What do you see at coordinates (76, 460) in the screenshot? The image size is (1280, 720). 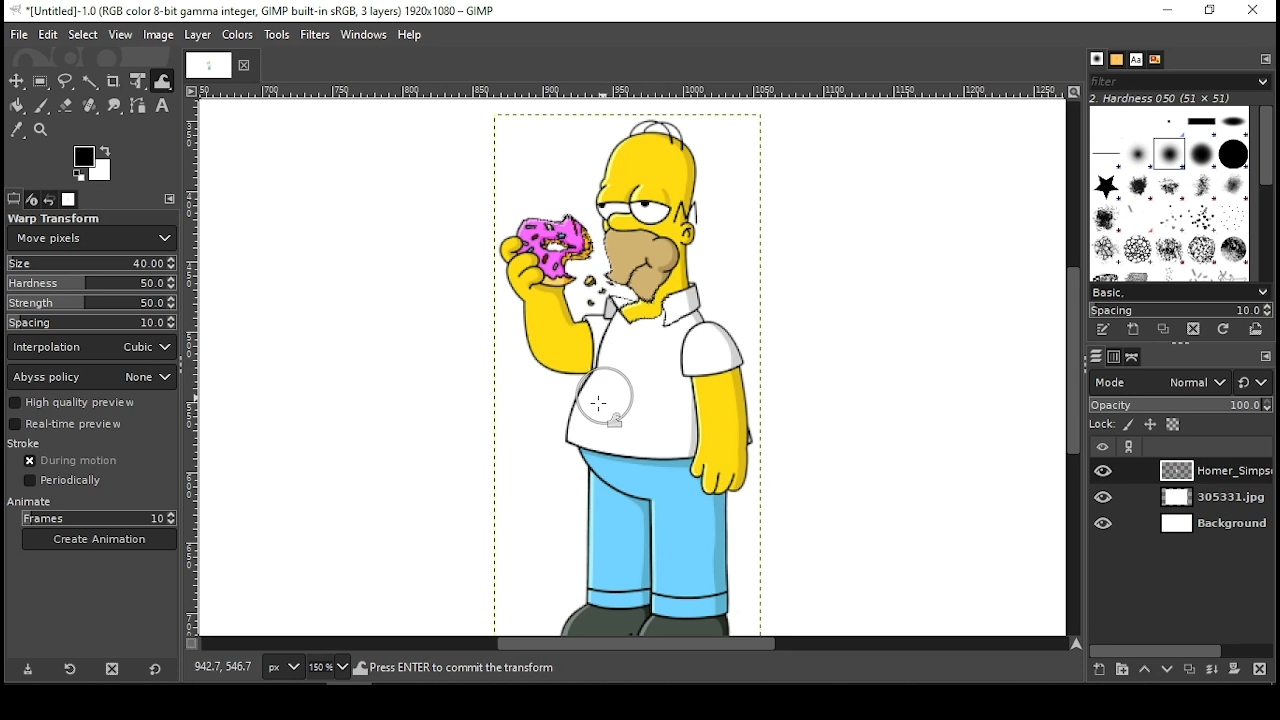 I see `during motion` at bounding box center [76, 460].